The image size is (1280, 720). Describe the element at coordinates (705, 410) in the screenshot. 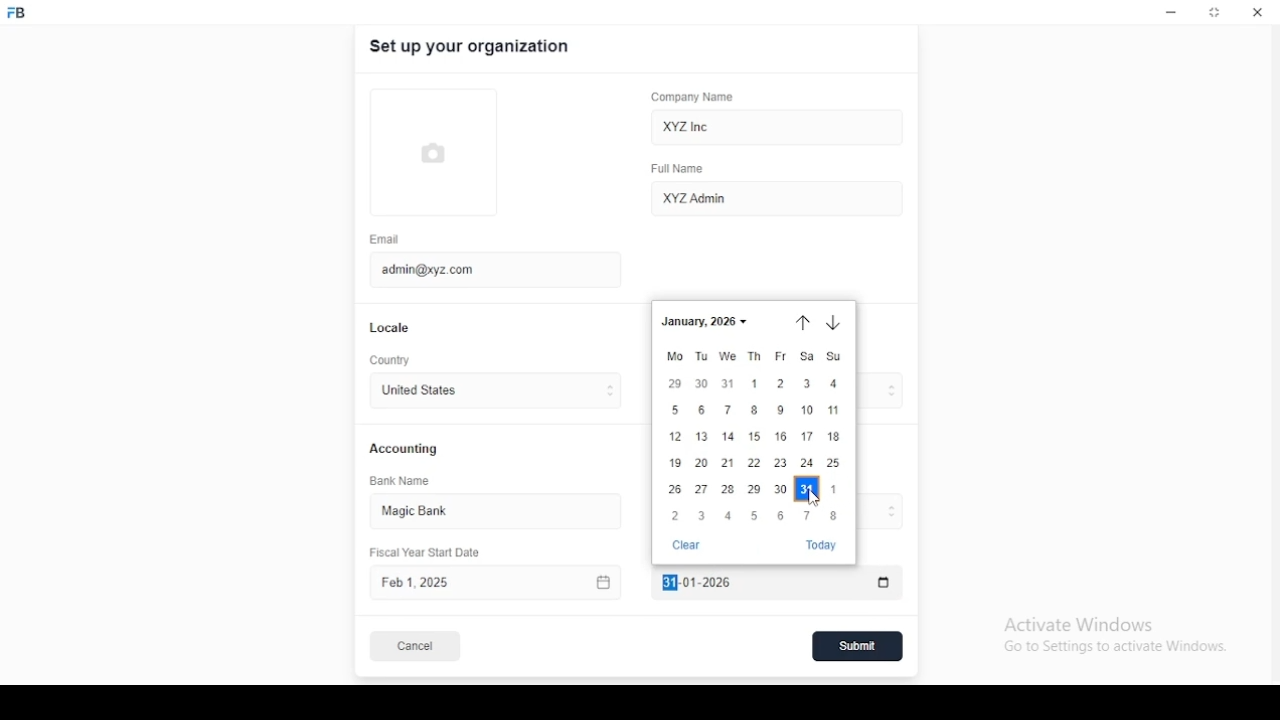

I see `6` at that location.